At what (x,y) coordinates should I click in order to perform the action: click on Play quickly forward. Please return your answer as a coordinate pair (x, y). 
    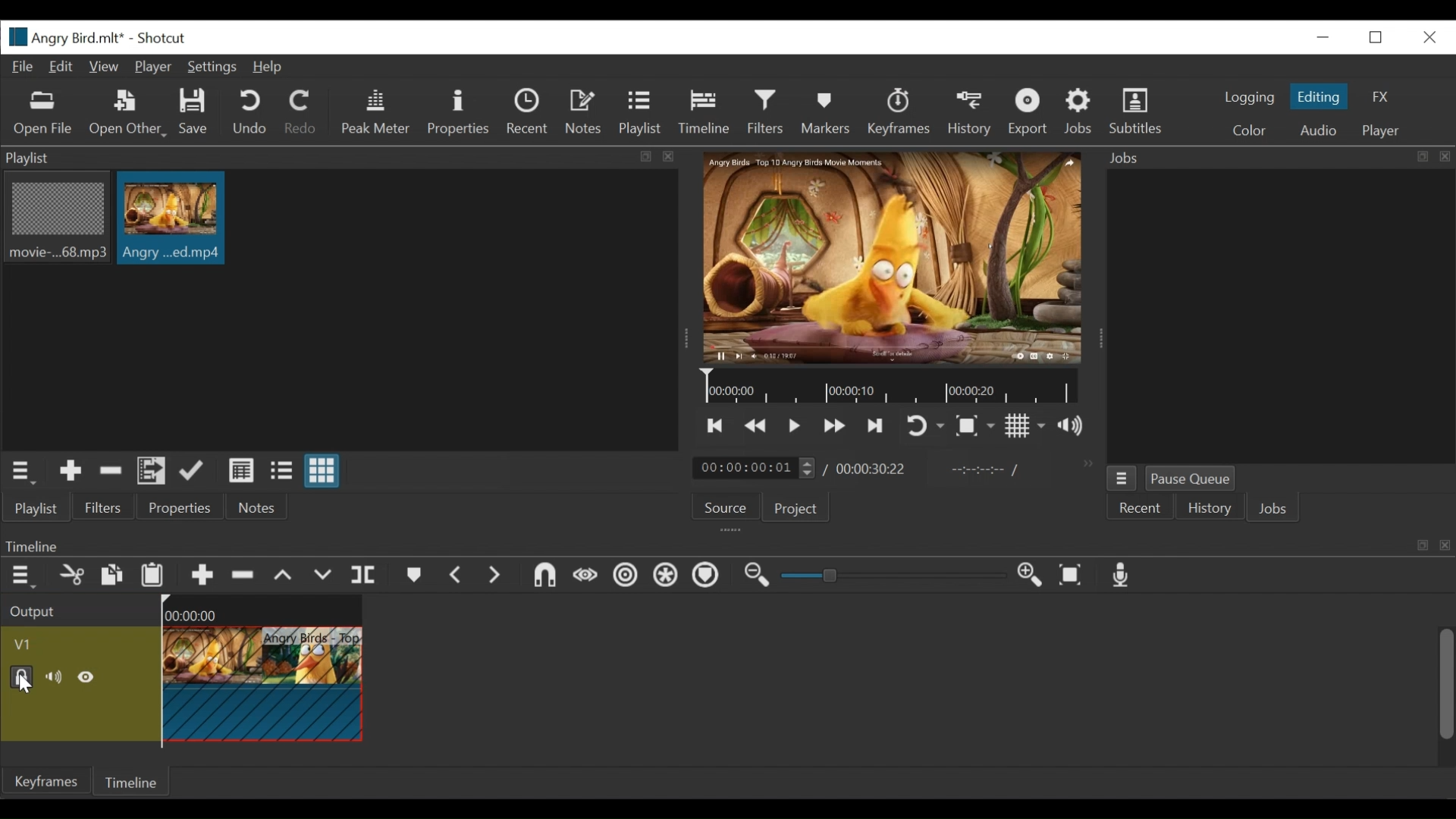
    Looking at the image, I should click on (833, 427).